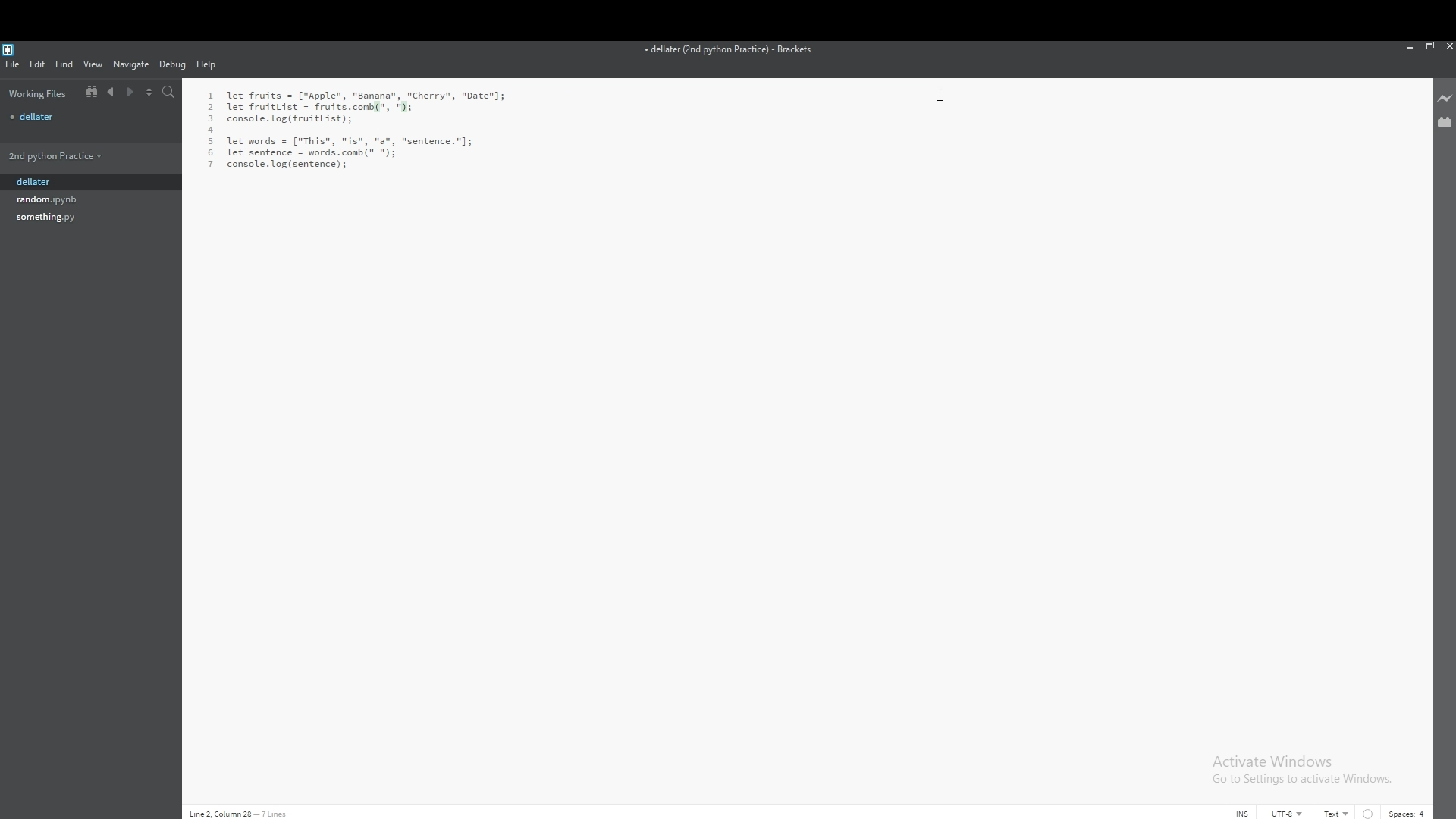 The height and width of the screenshot is (819, 1456). I want to click on file, so click(71, 199).